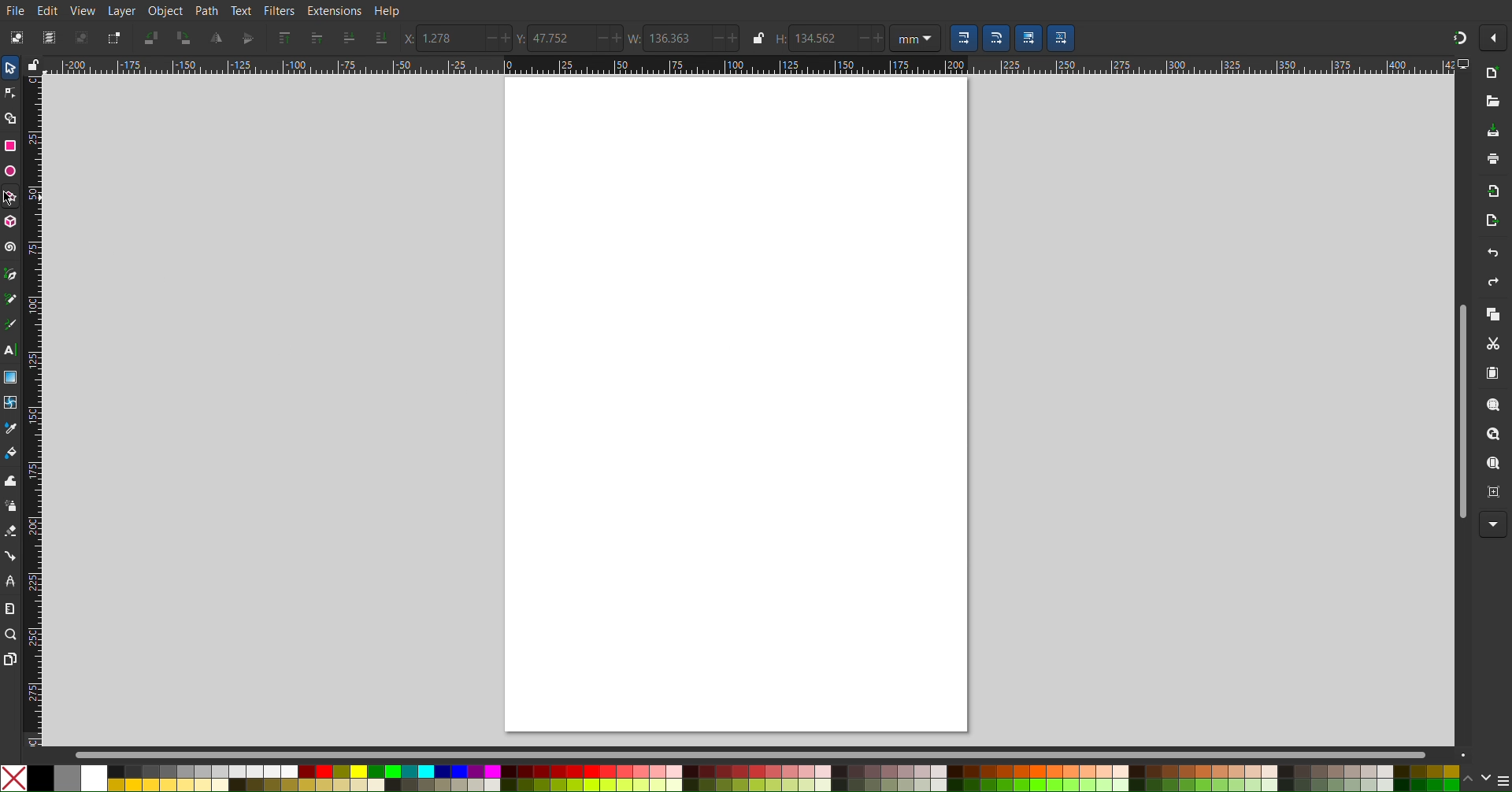  What do you see at coordinates (207, 10) in the screenshot?
I see `Path` at bounding box center [207, 10].